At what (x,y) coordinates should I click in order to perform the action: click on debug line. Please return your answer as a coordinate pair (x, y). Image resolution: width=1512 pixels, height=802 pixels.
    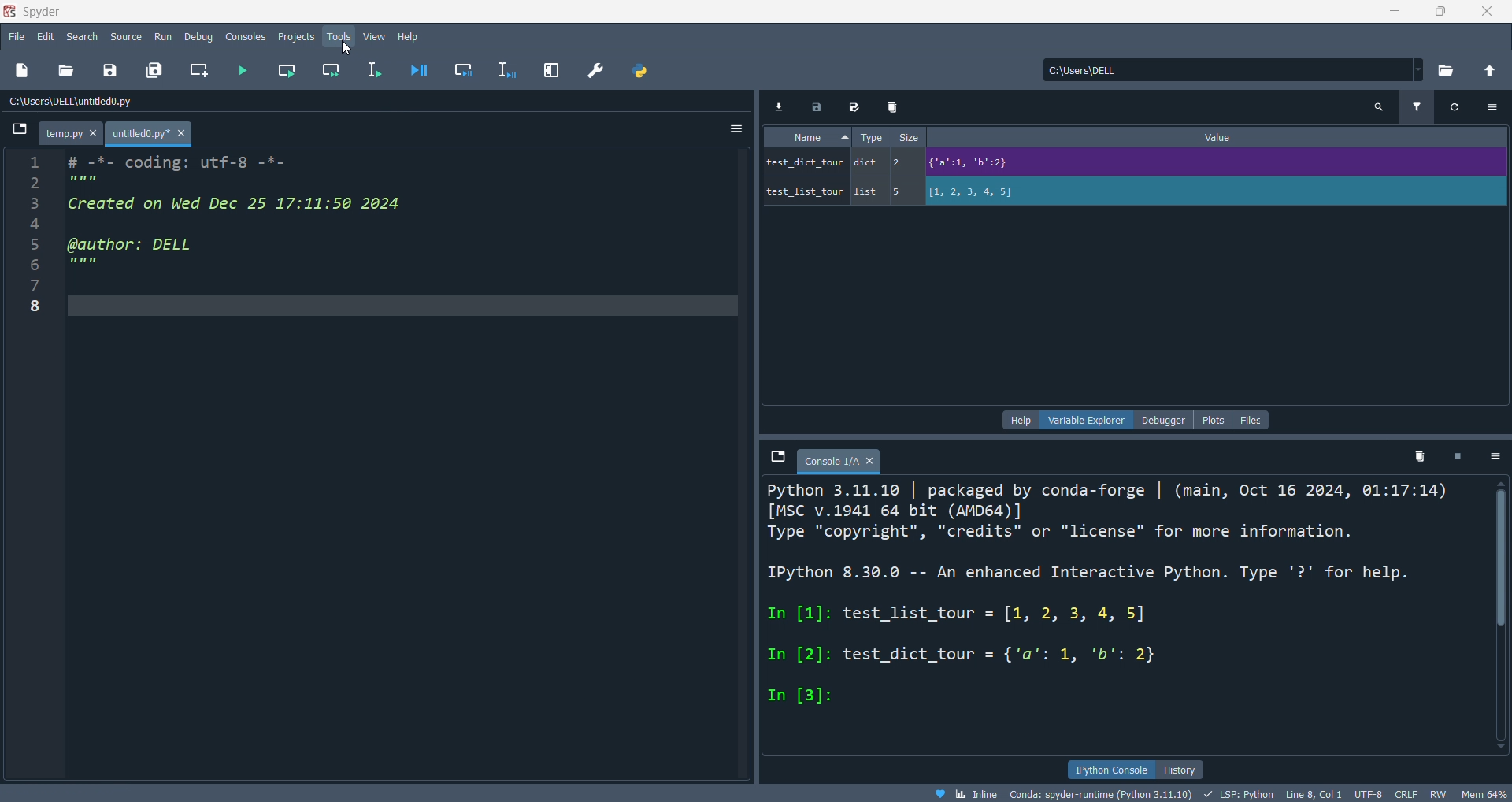
    Looking at the image, I should click on (505, 70).